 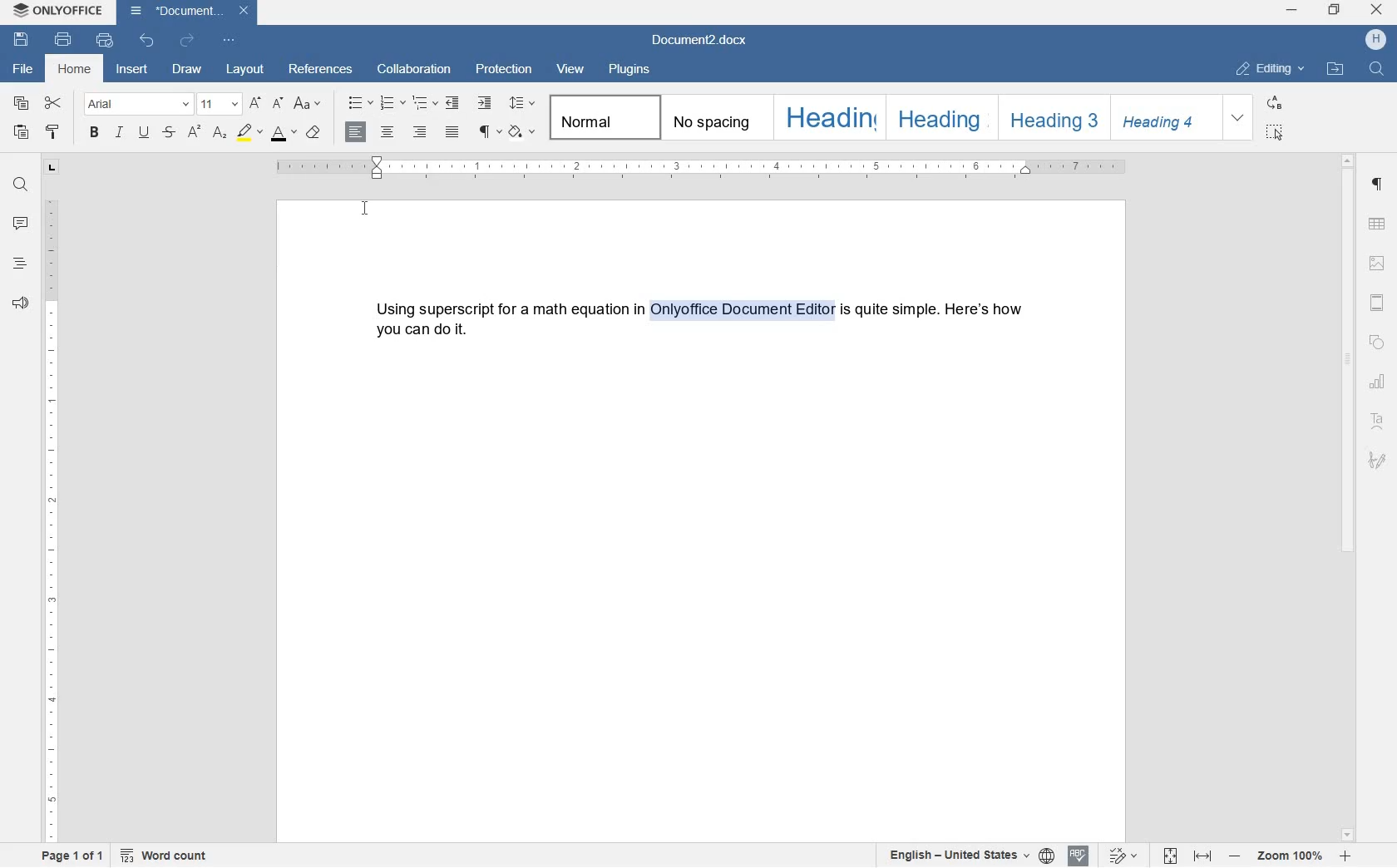 I want to click on word count, so click(x=168, y=856).